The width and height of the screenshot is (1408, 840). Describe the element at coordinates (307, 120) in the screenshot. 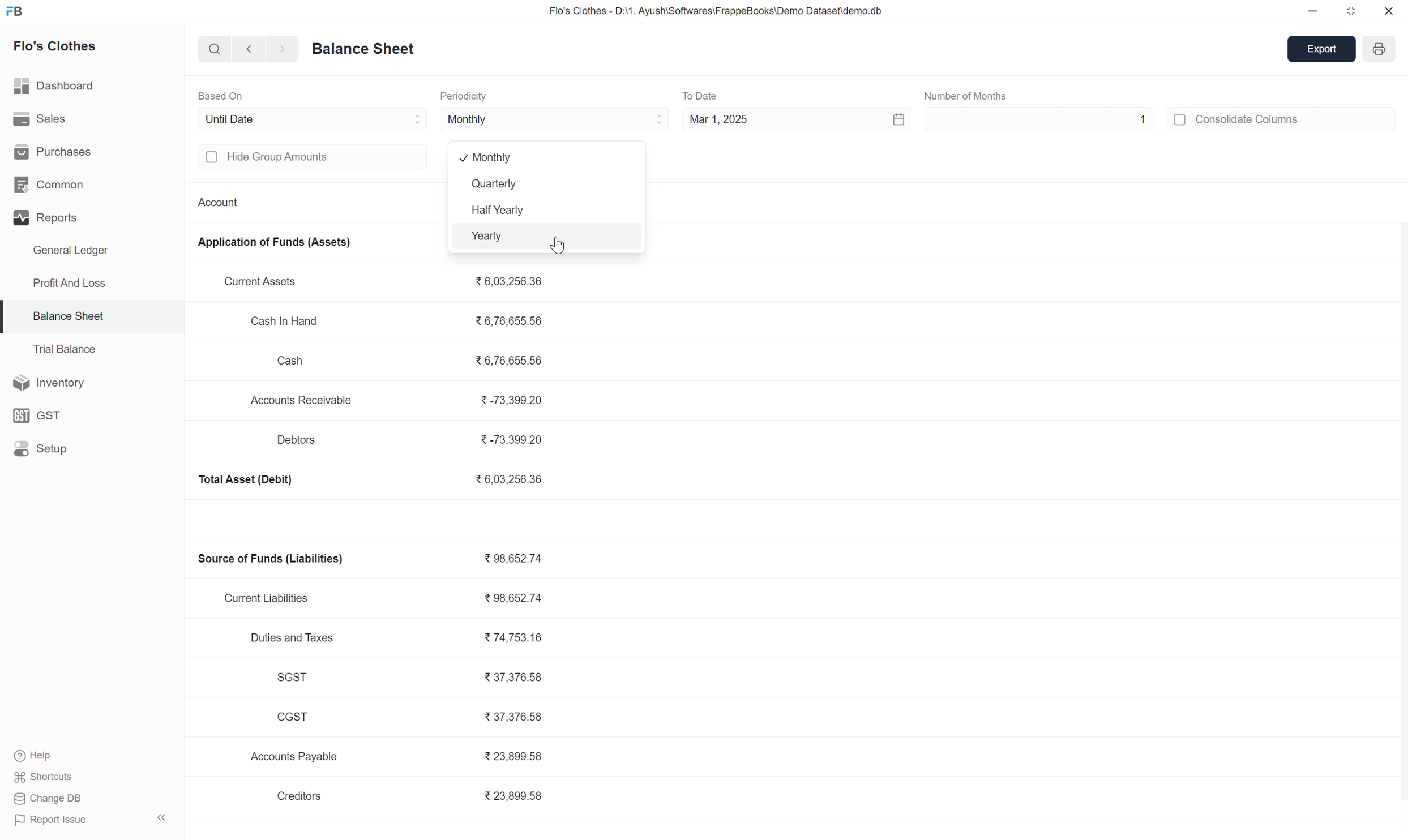

I see `Until Date` at that location.